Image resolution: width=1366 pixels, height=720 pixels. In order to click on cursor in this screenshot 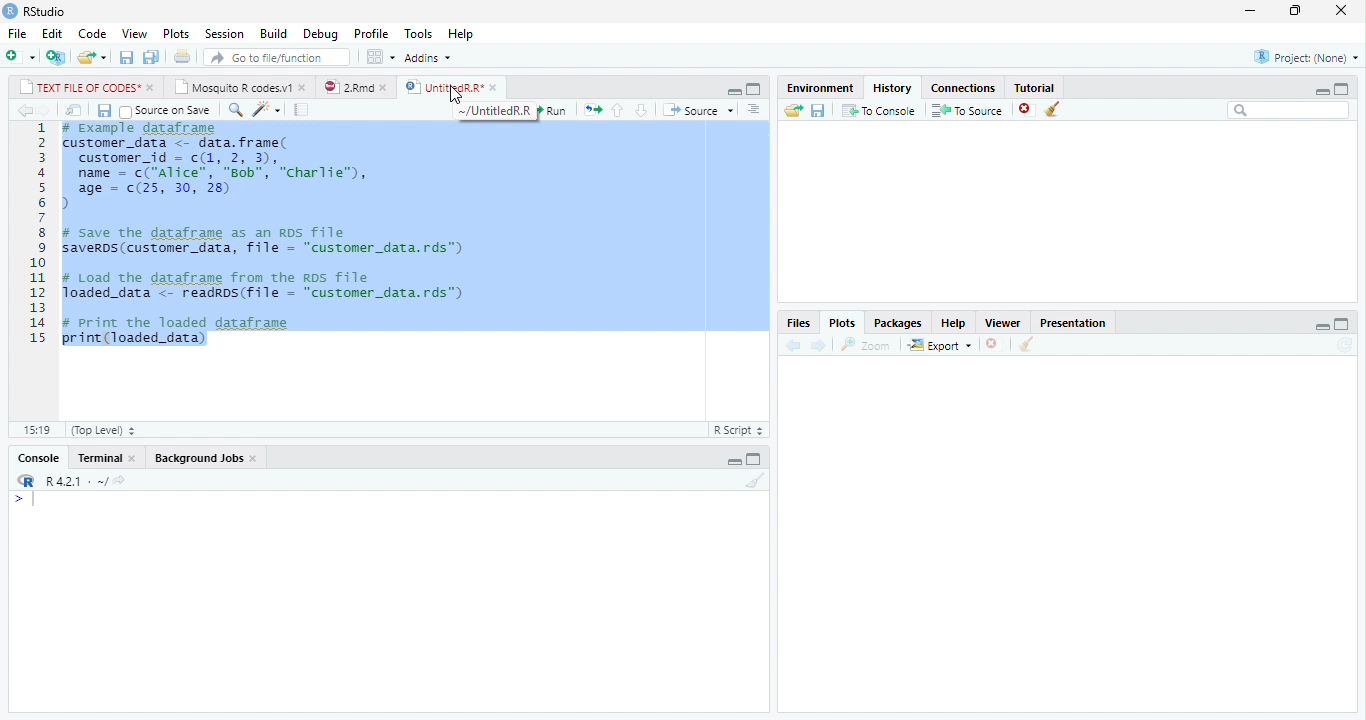, I will do `click(455, 97)`.